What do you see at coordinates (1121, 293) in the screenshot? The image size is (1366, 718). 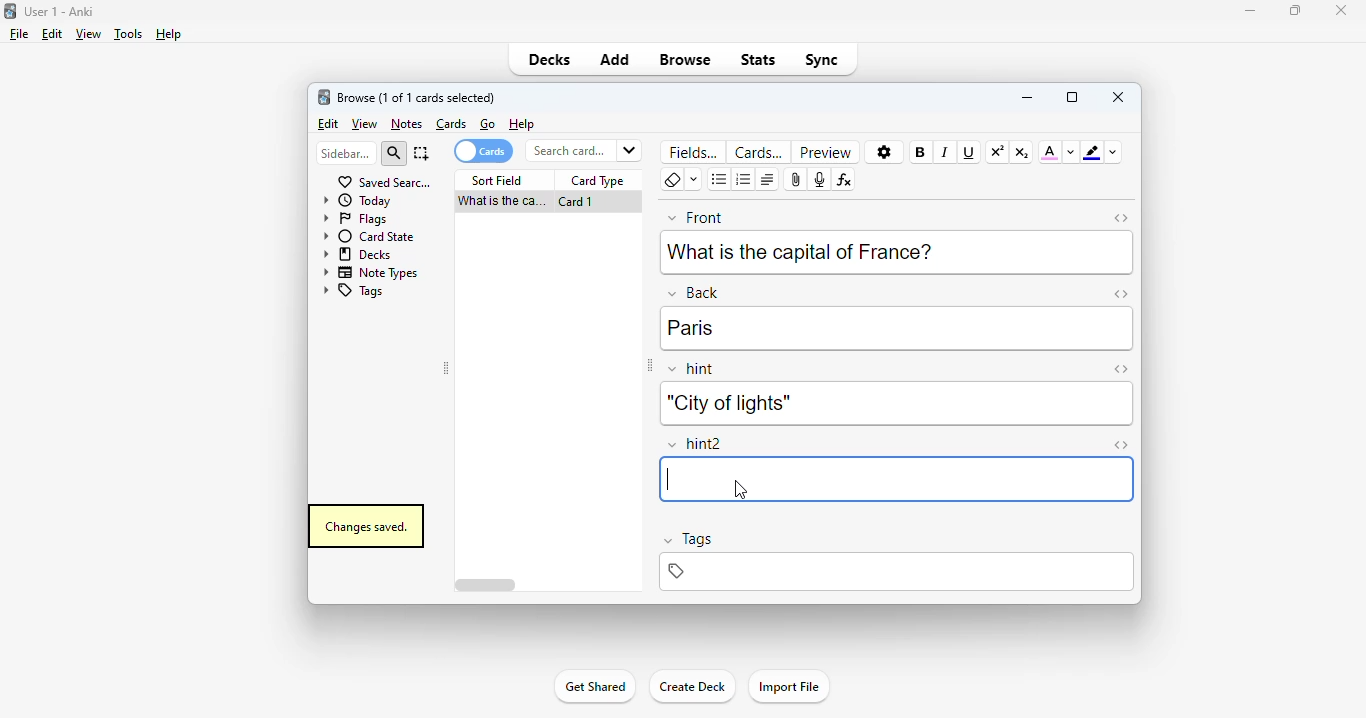 I see `toggle HTML editor` at bounding box center [1121, 293].